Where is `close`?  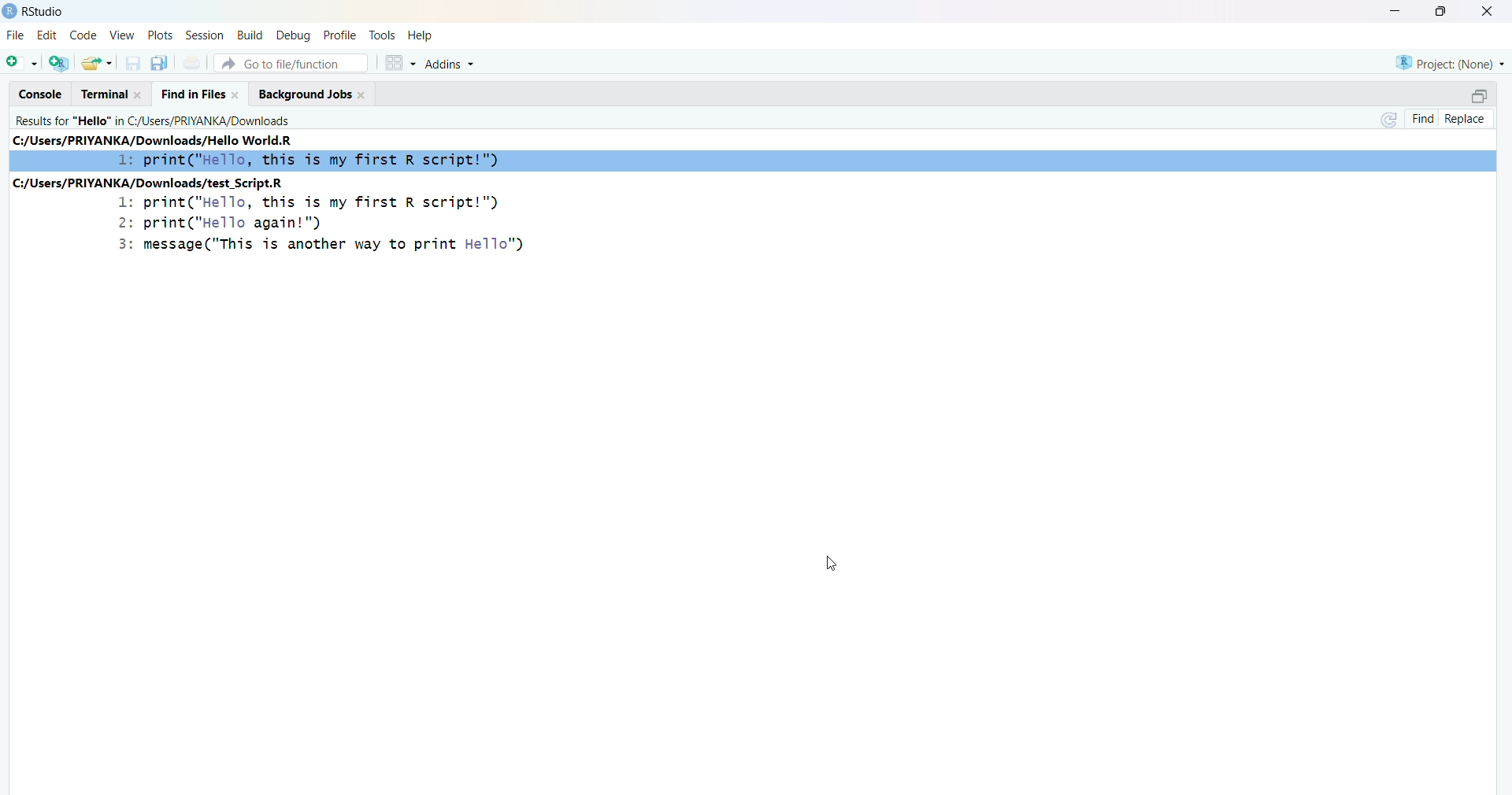 close is located at coordinates (139, 94).